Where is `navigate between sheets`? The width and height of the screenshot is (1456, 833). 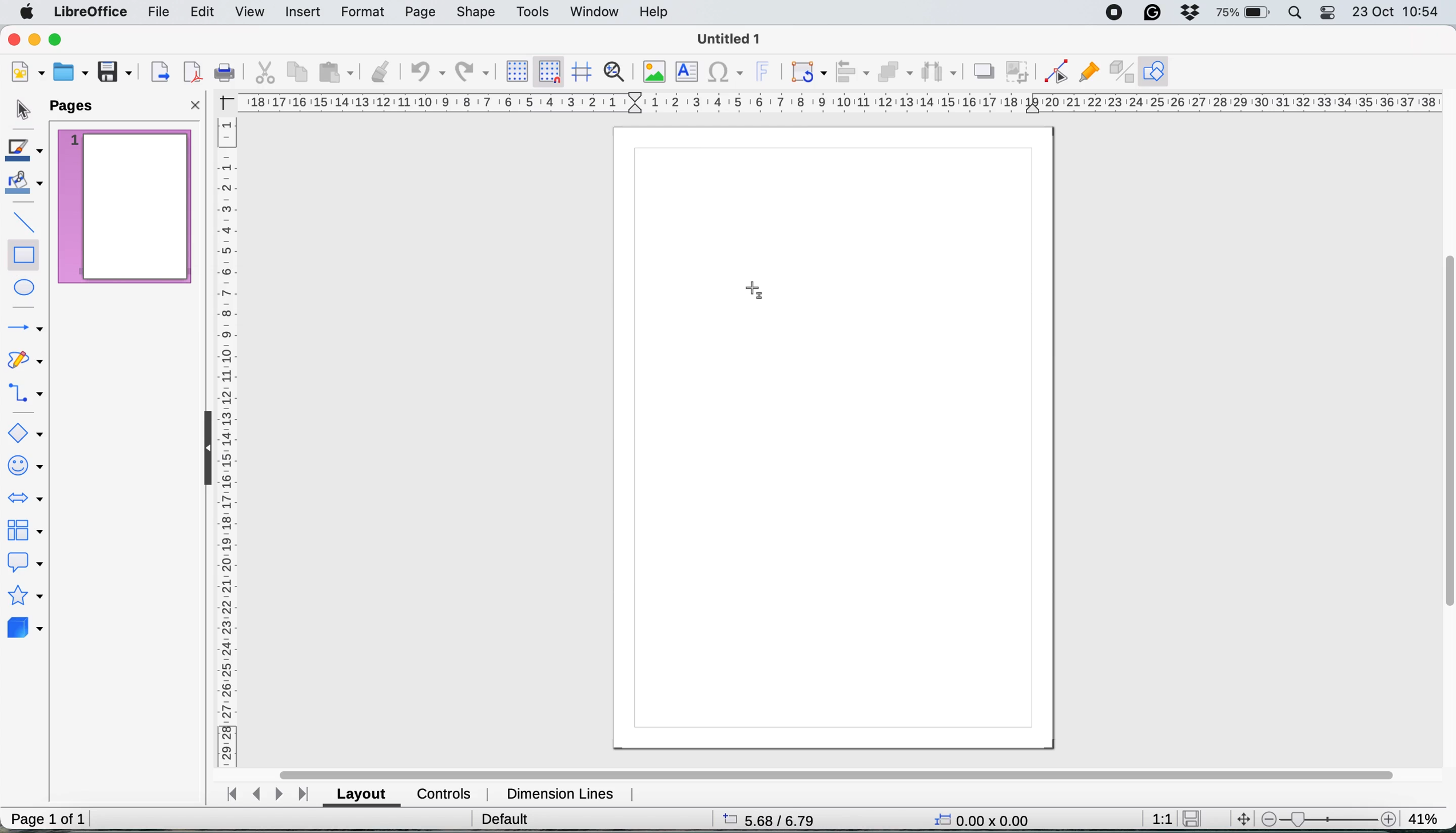
navigate between sheets is located at coordinates (270, 795).